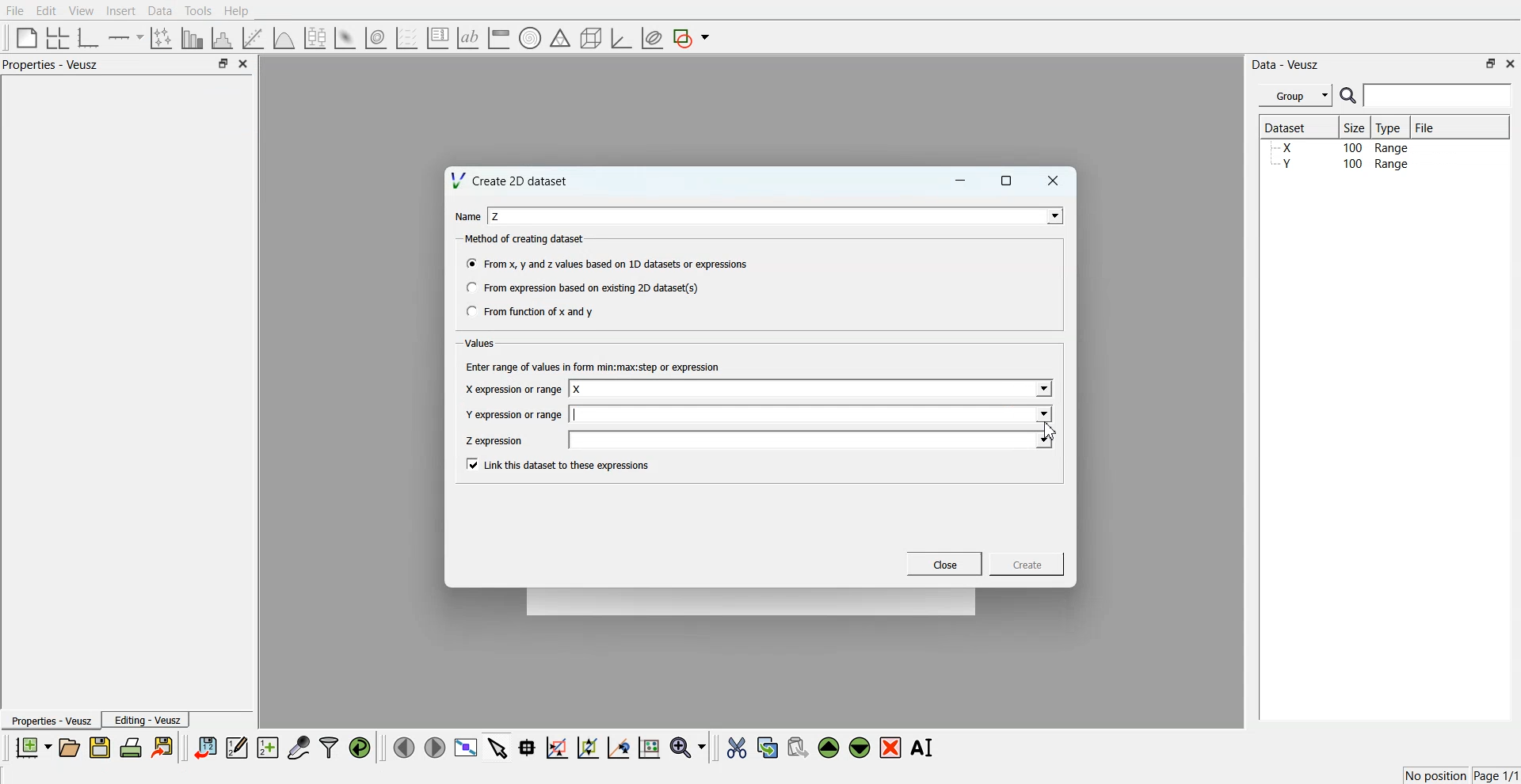 This screenshot has width=1521, height=784. Describe the element at coordinates (345, 38) in the screenshot. I see `3D Surface` at that location.